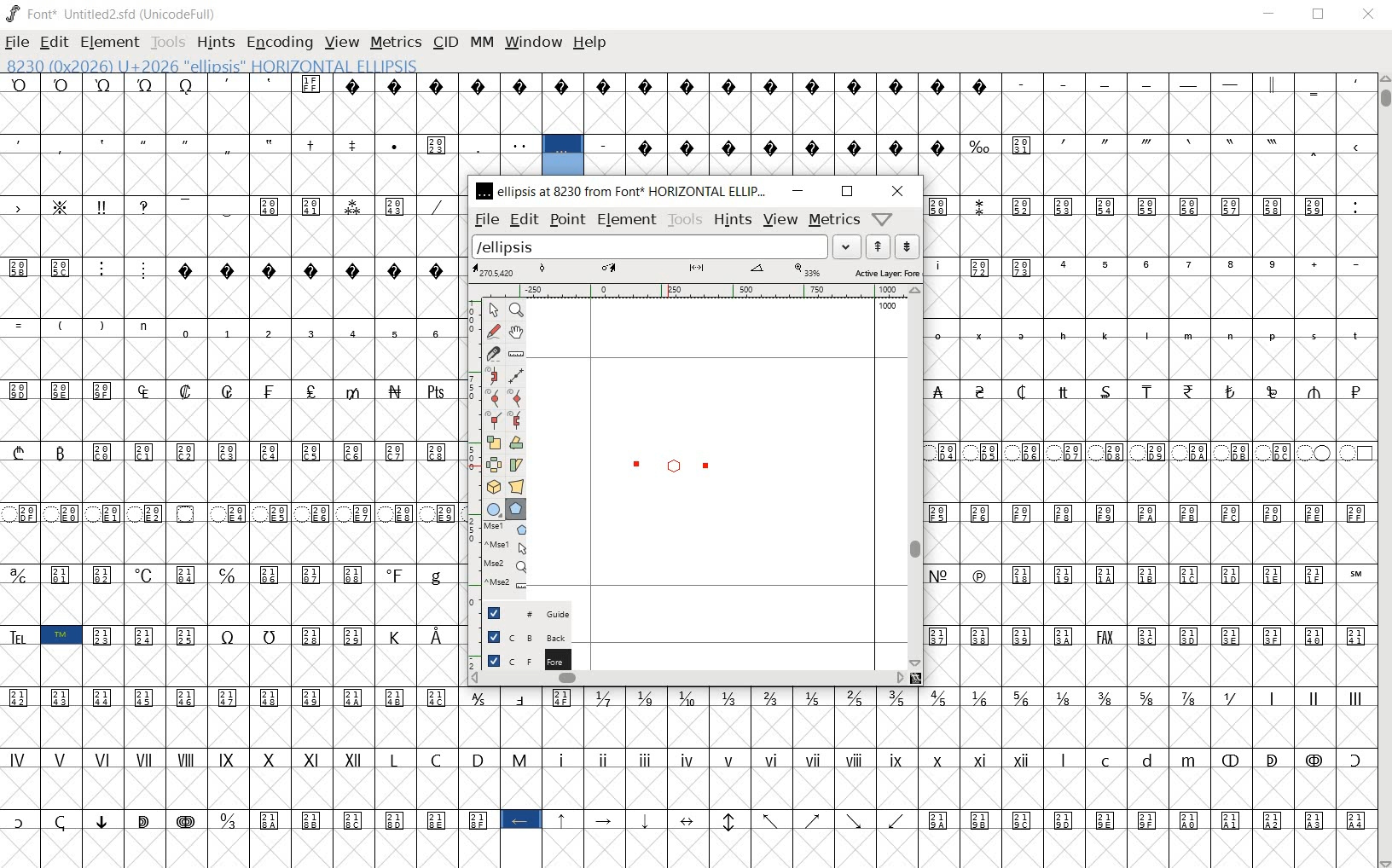 The image size is (1392, 868). Describe the element at coordinates (492, 486) in the screenshot. I see `rotate the selection in 3D and project back to plane` at that location.